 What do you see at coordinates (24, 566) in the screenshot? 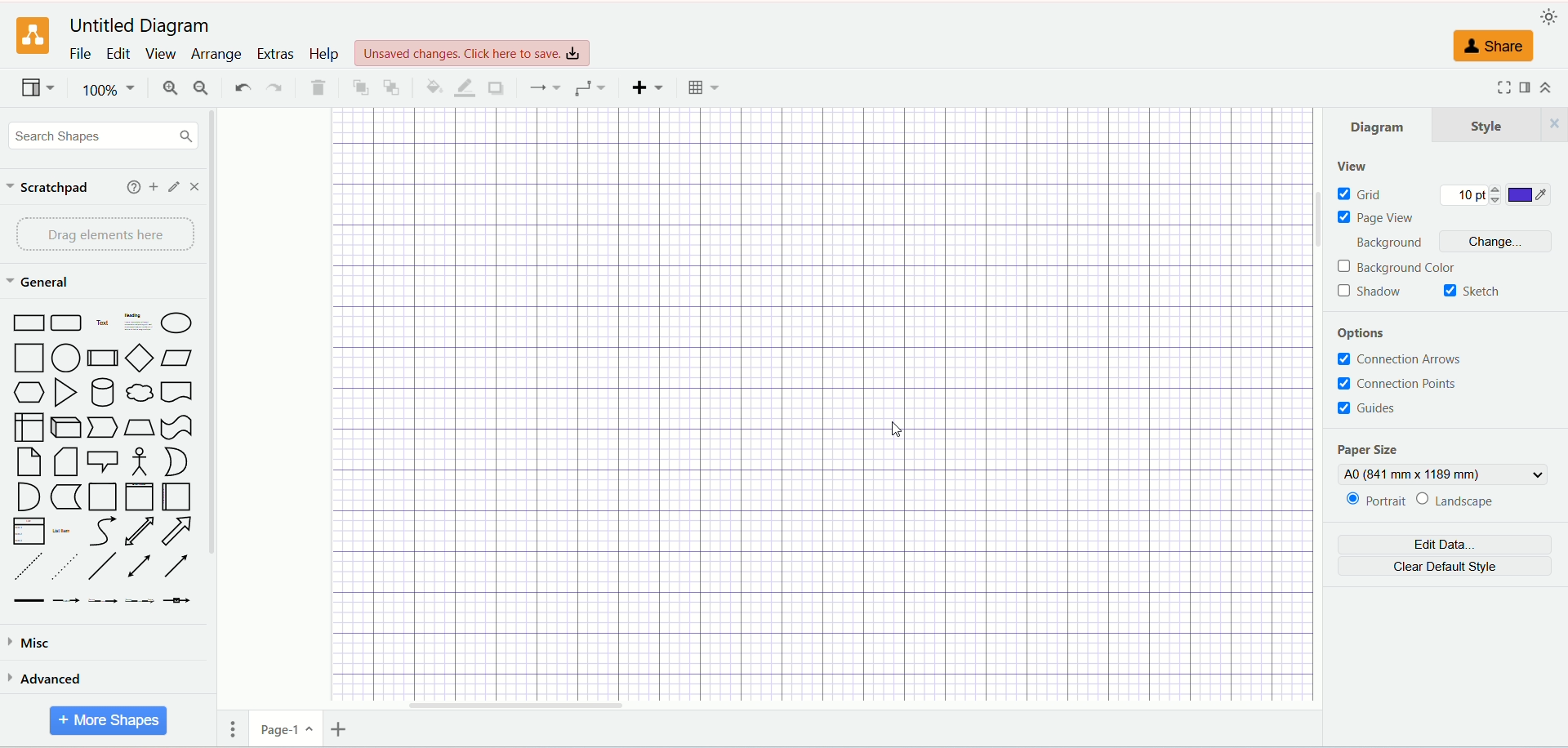
I see `Dashed Line` at bounding box center [24, 566].